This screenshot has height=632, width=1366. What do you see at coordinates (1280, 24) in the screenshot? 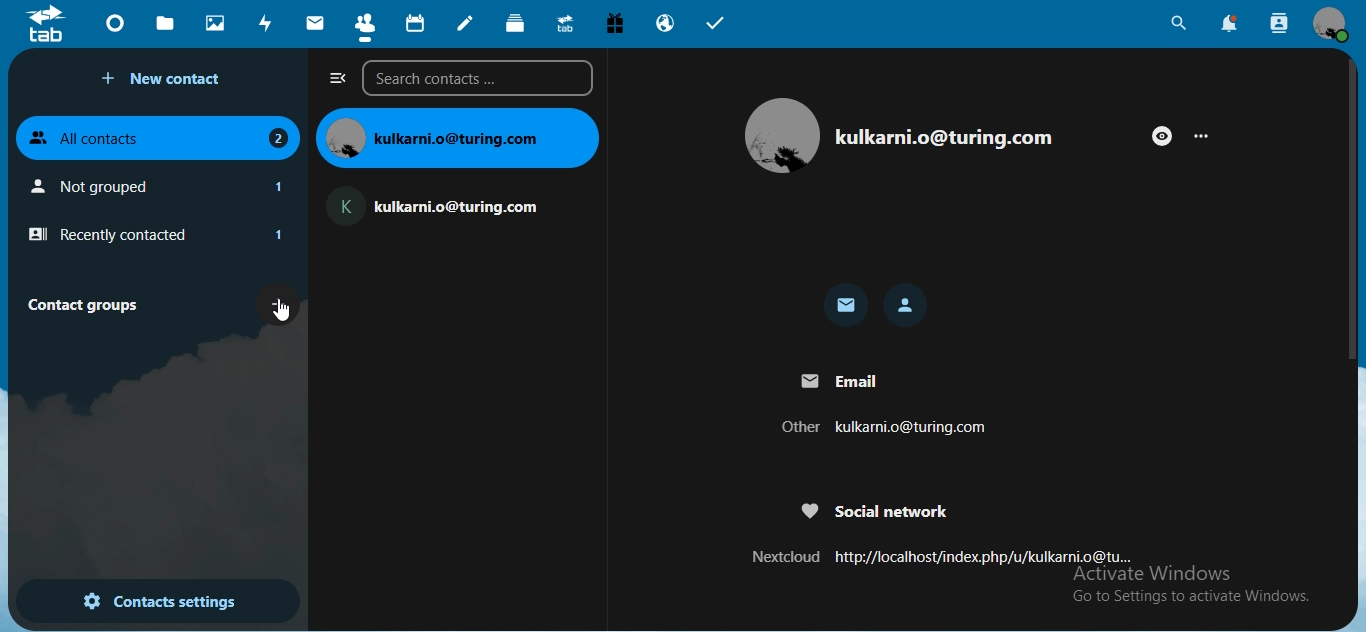
I see `search contact` at bounding box center [1280, 24].